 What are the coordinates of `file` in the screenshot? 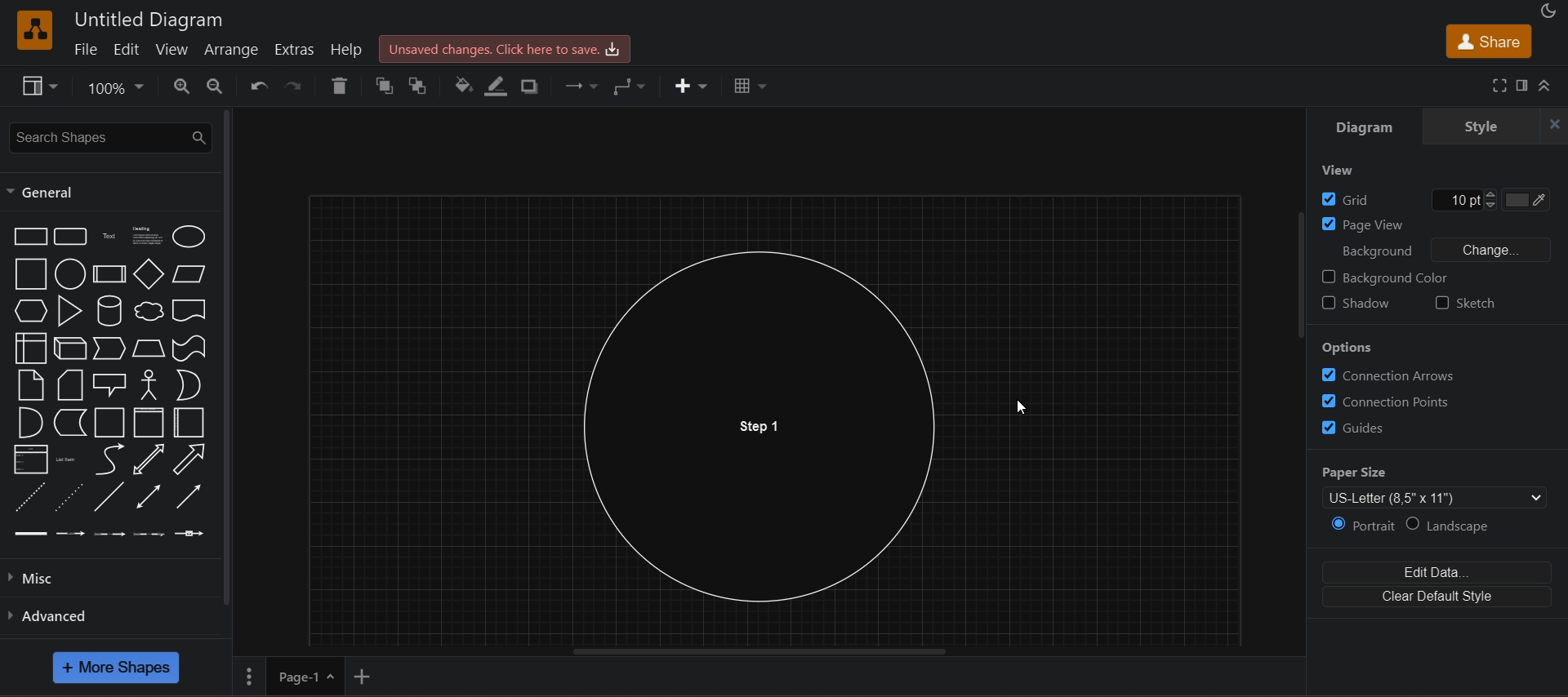 It's located at (88, 51).